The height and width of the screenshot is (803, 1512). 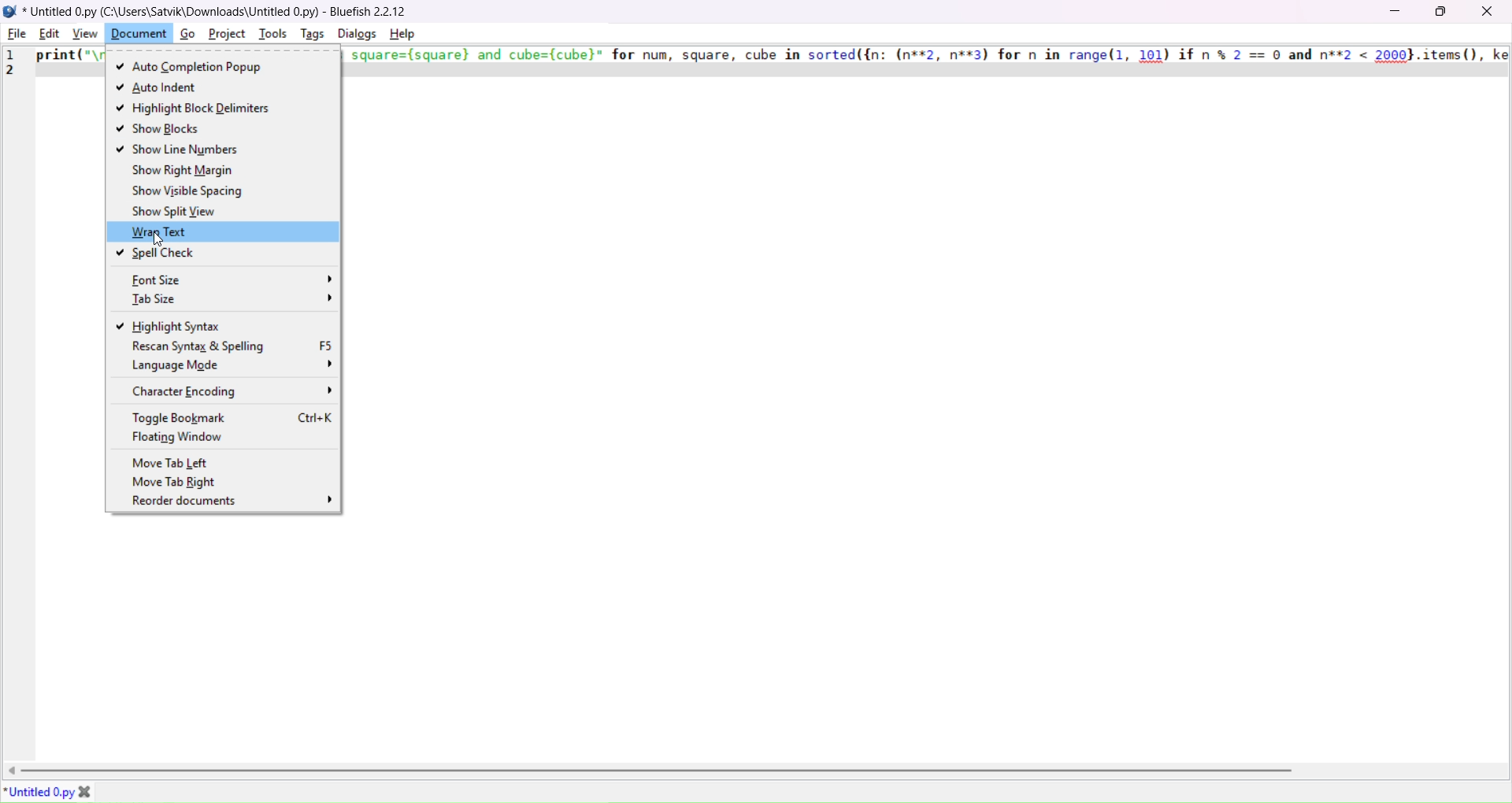 I want to click on highlight block delimiters, so click(x=191, y=108).